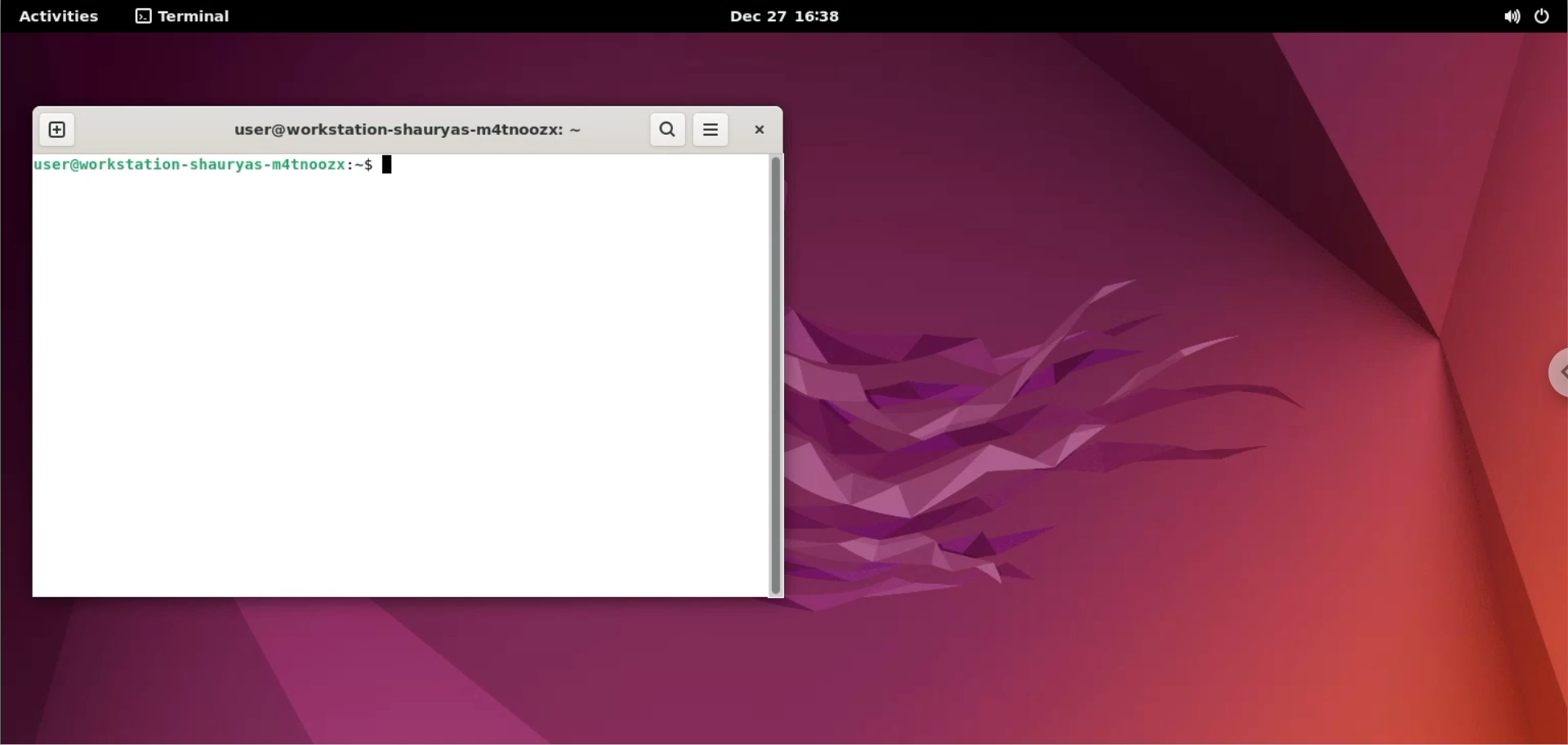 This screenshot has width=1568, height=745. I want to click on scroll bar, so click(778, 381).